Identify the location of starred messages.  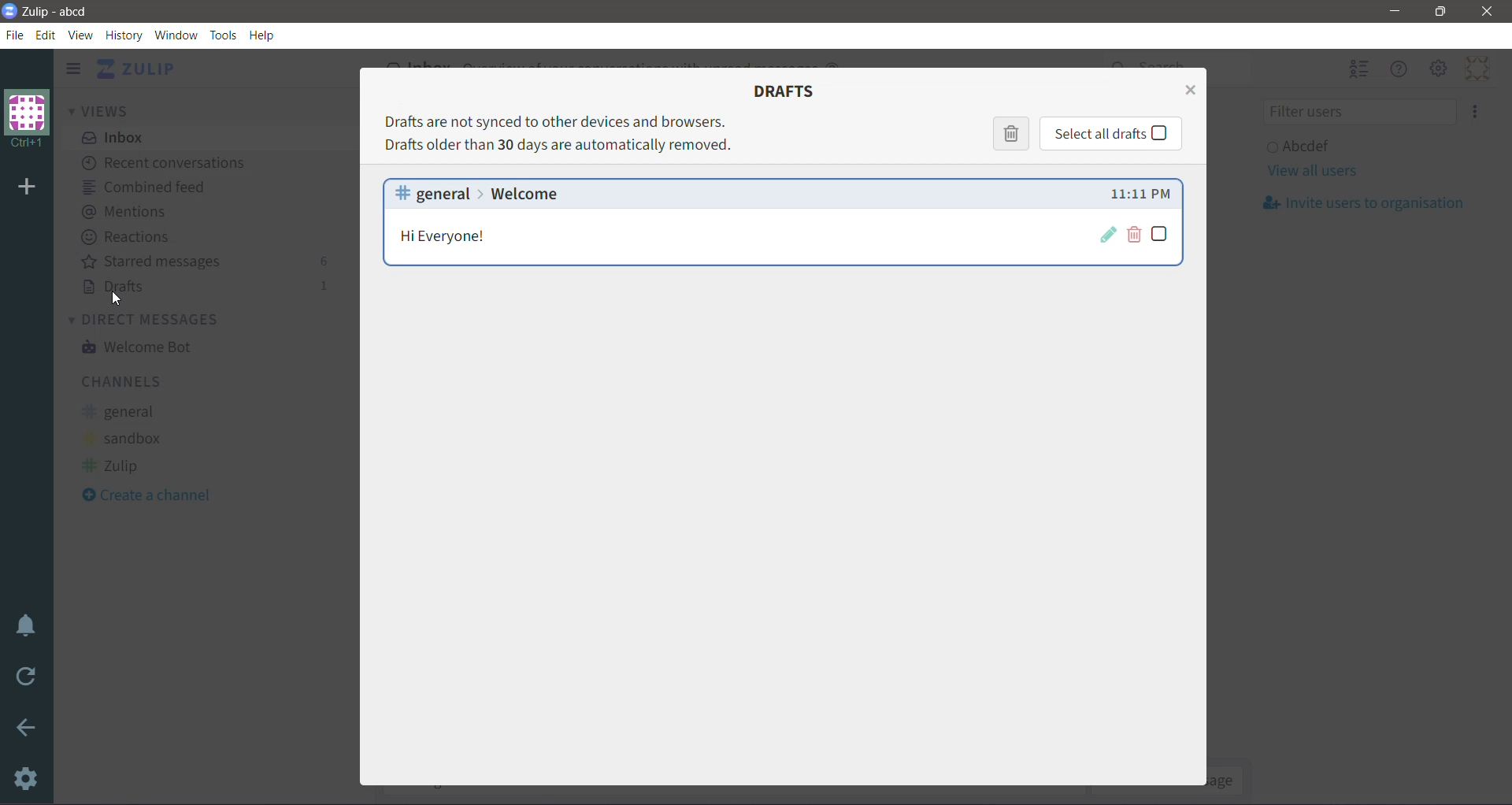
(156, 261).